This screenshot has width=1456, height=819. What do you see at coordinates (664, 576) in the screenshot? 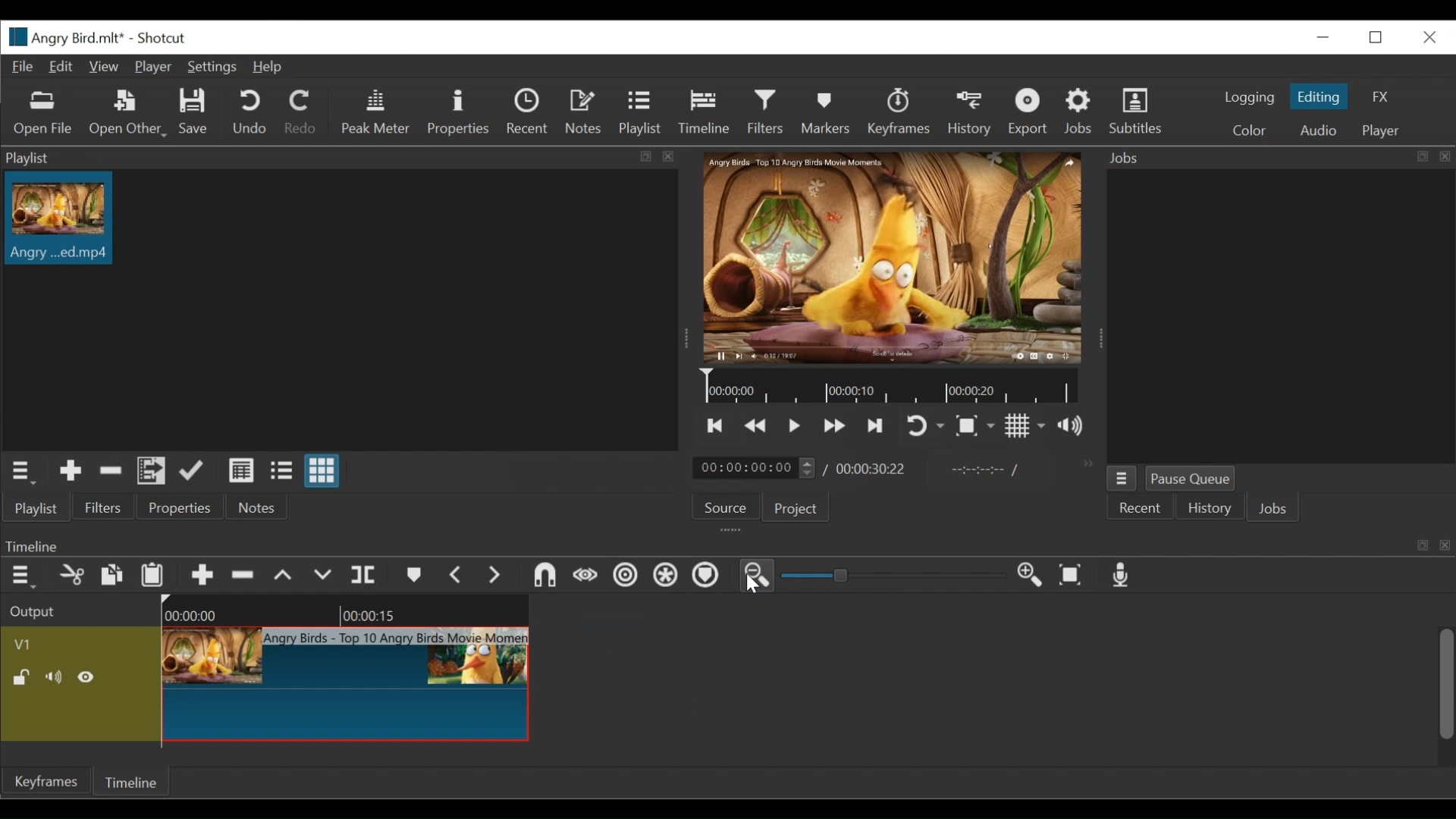
I see `Snap` at bounding box center [664, 576].